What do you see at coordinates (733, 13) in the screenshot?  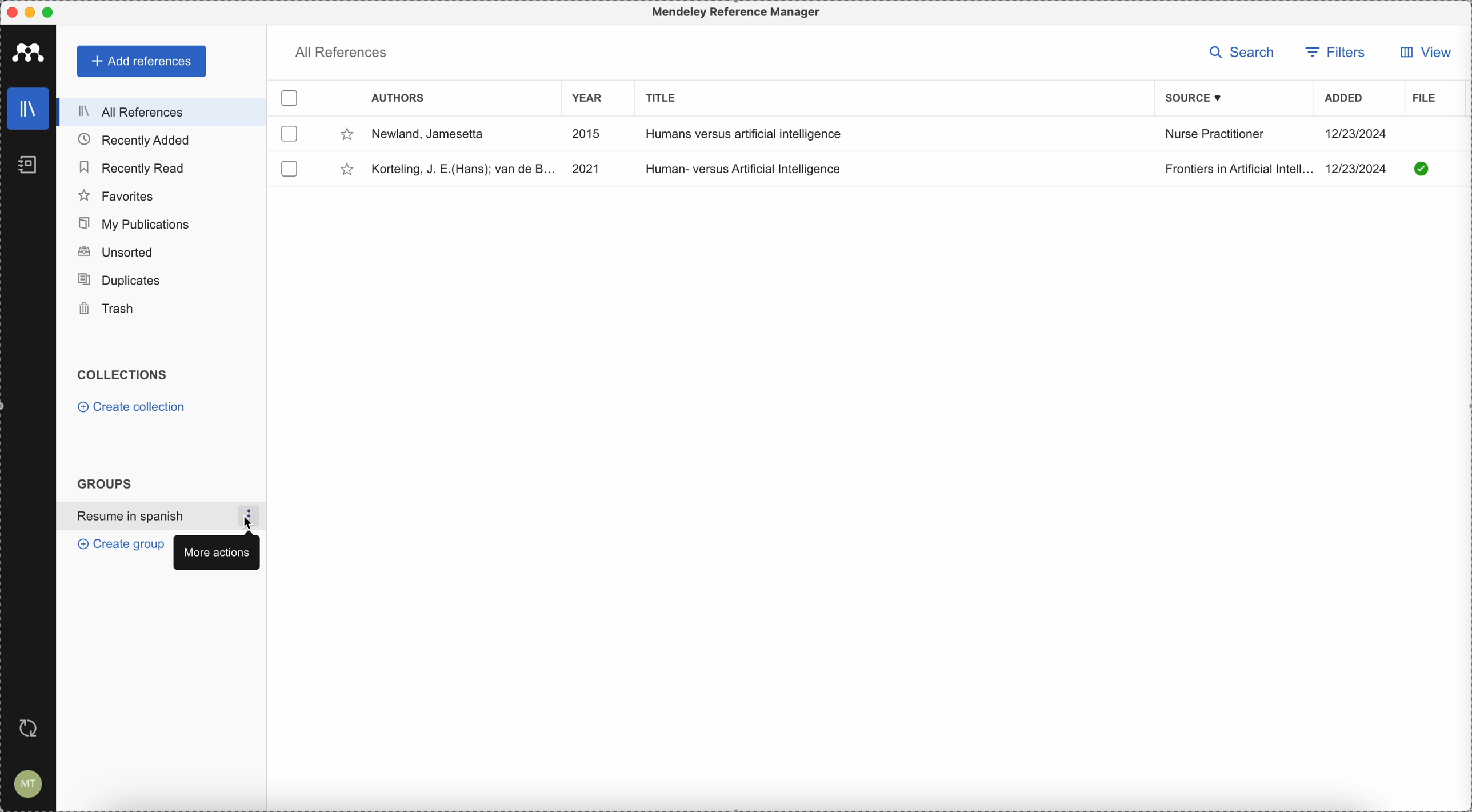 I see `Mendeley Reference Manager` at bounding box center [733, 13].